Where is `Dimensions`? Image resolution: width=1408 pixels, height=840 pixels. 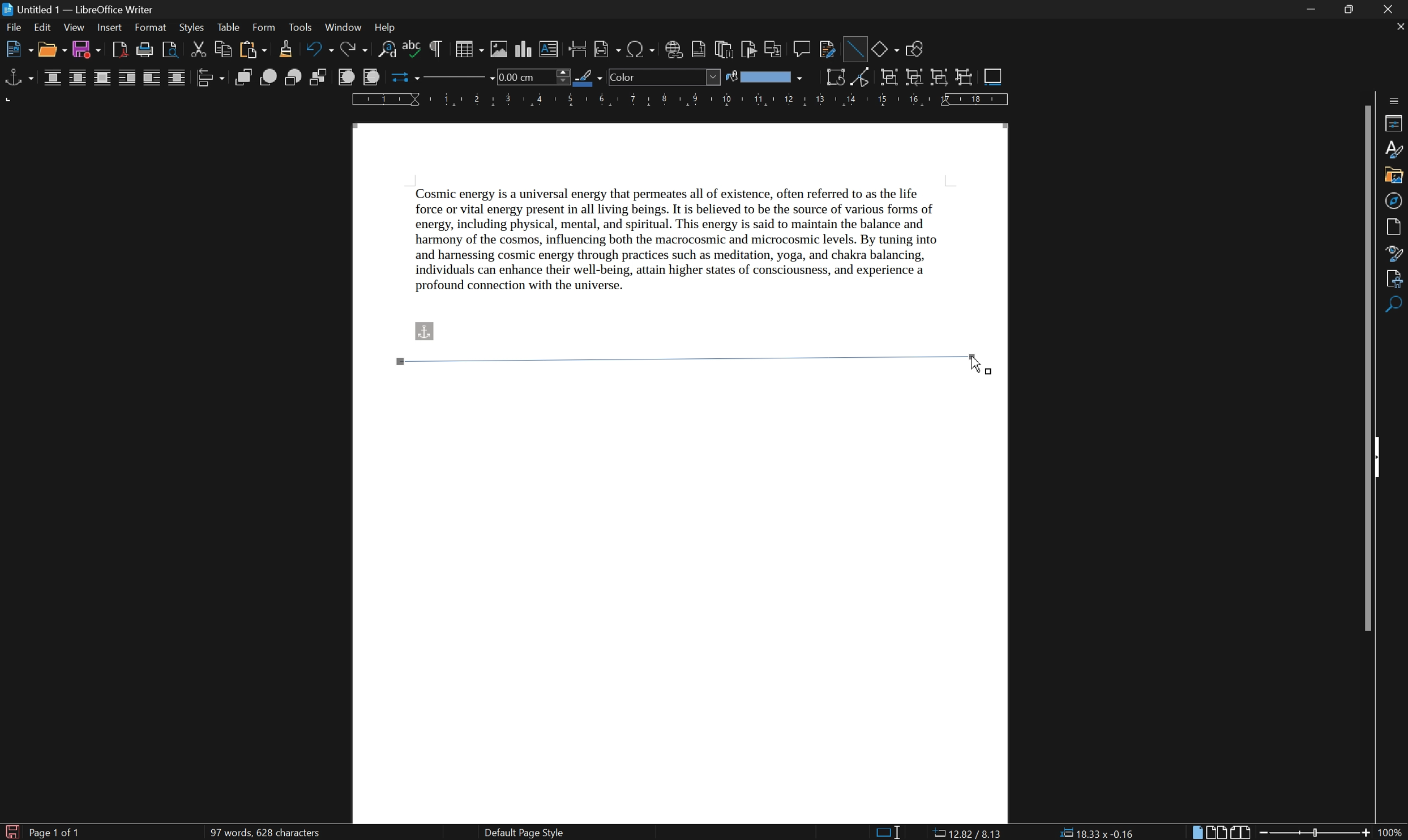 Dimensions is located at coordinates (1097, 832).